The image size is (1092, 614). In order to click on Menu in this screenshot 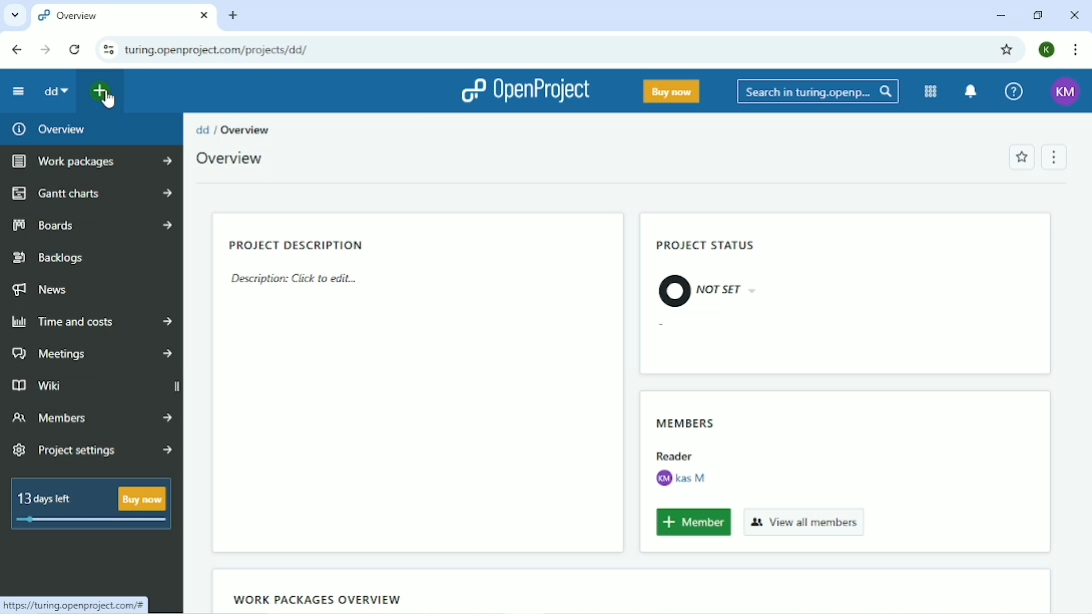, I will do `click(1056, 158)`.